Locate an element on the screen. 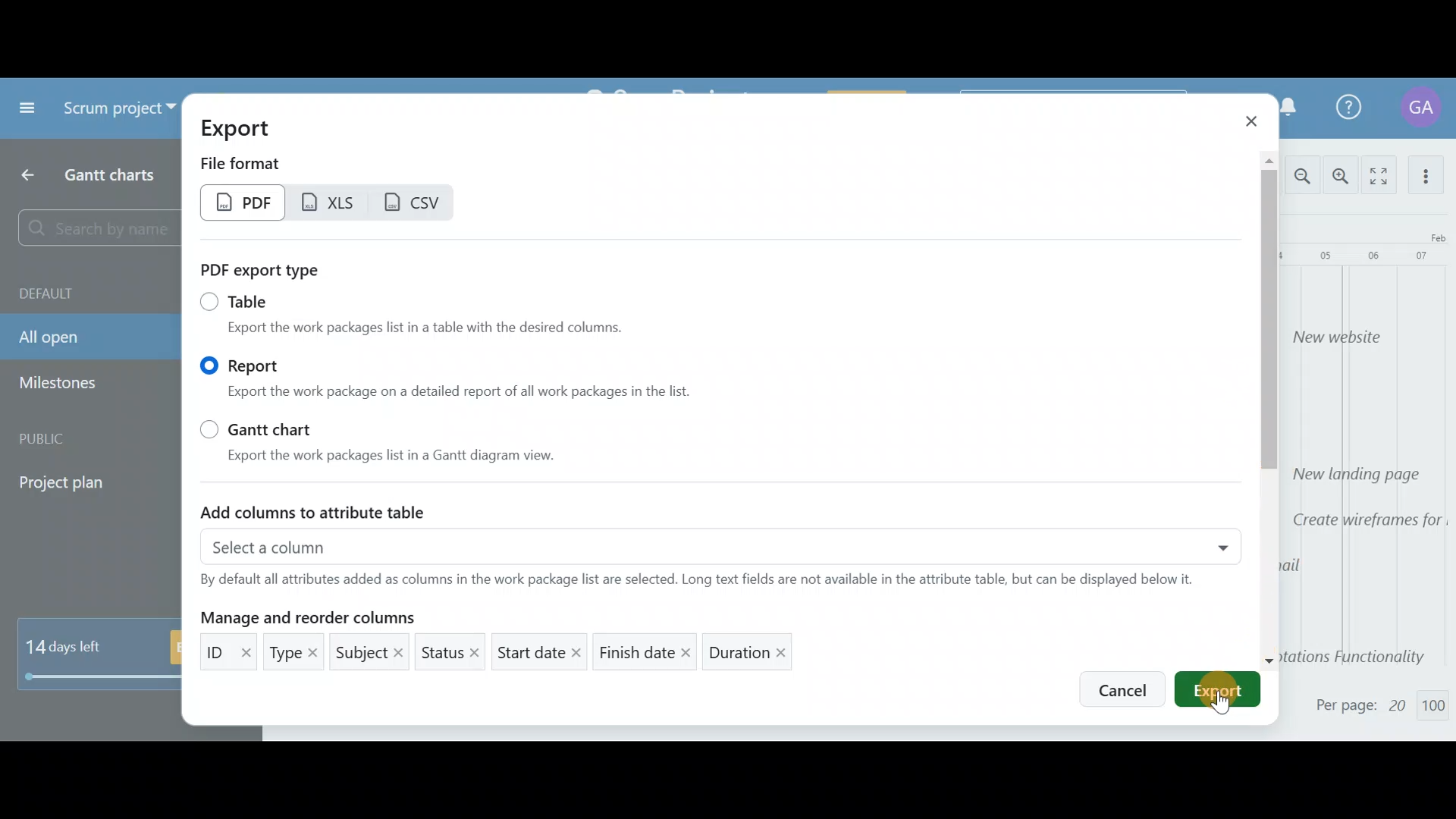  Zoom out is located at coordinates (1305, 177).